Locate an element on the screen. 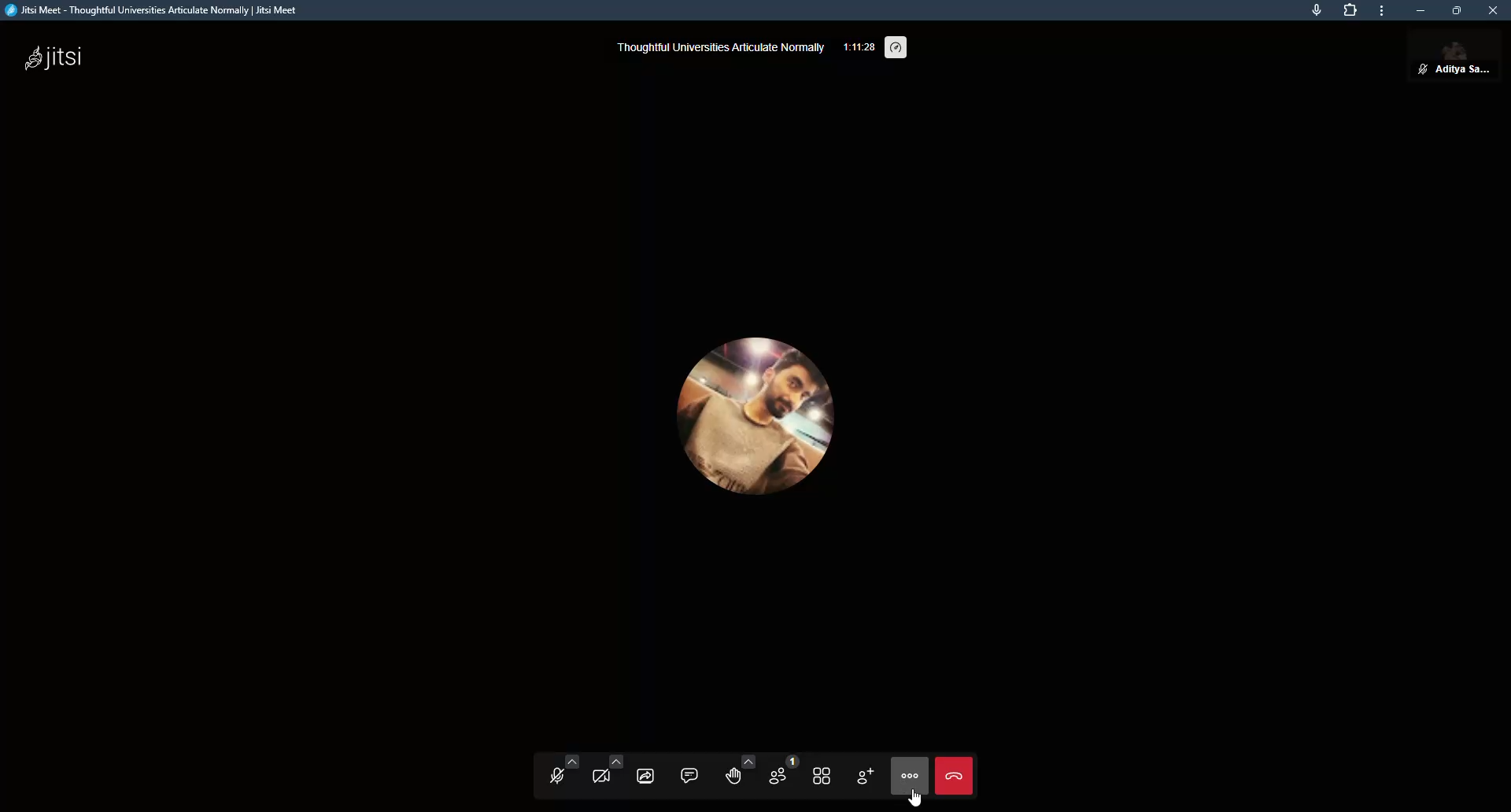  cursor is located at coordinates (914, 802).